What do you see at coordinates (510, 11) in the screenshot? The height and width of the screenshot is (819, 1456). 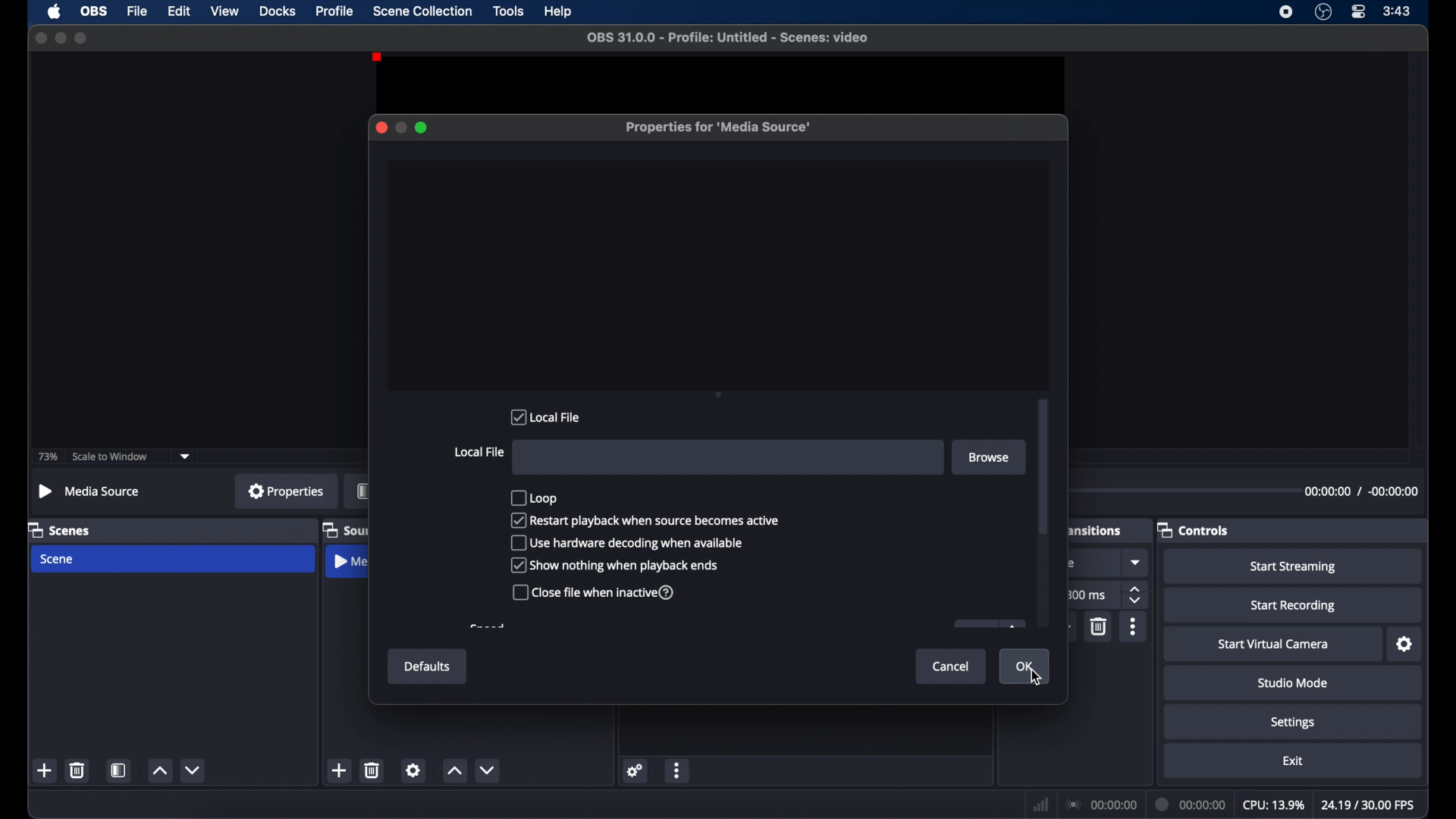 I see `tools` at bounding box center [510, 11].